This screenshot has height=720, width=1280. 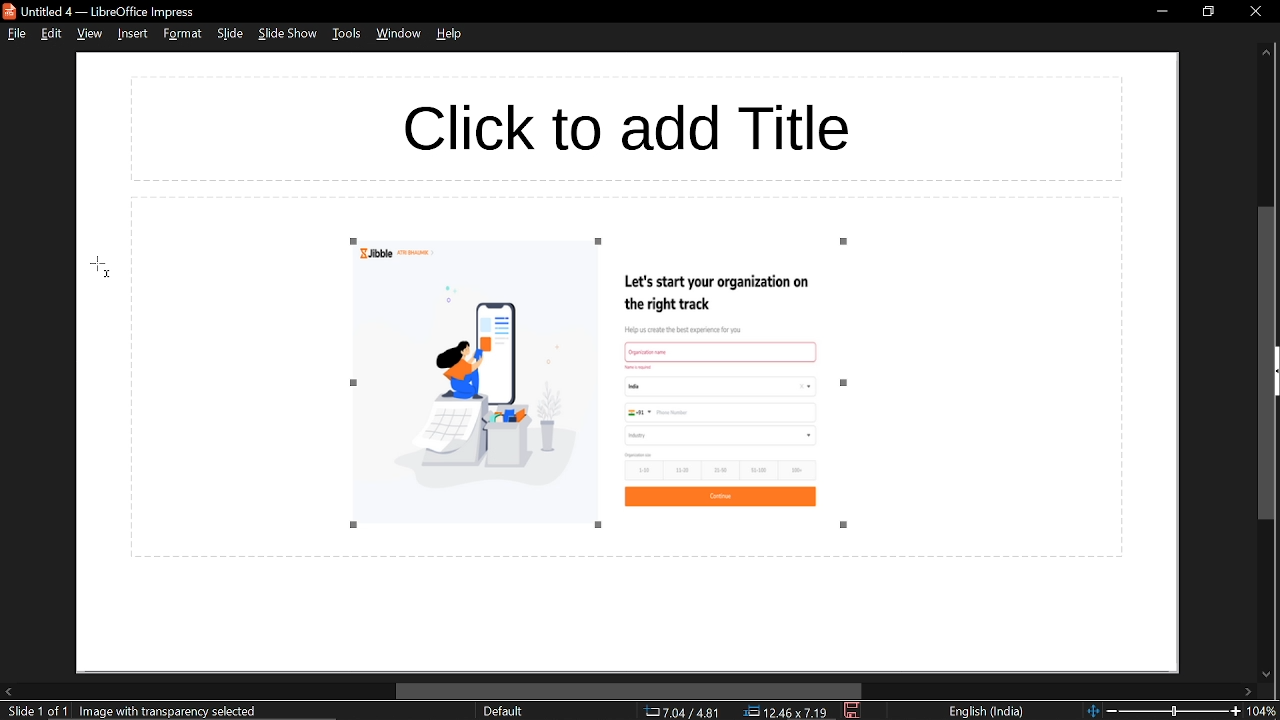 I want to click on slide, so click(x=229, y=35).